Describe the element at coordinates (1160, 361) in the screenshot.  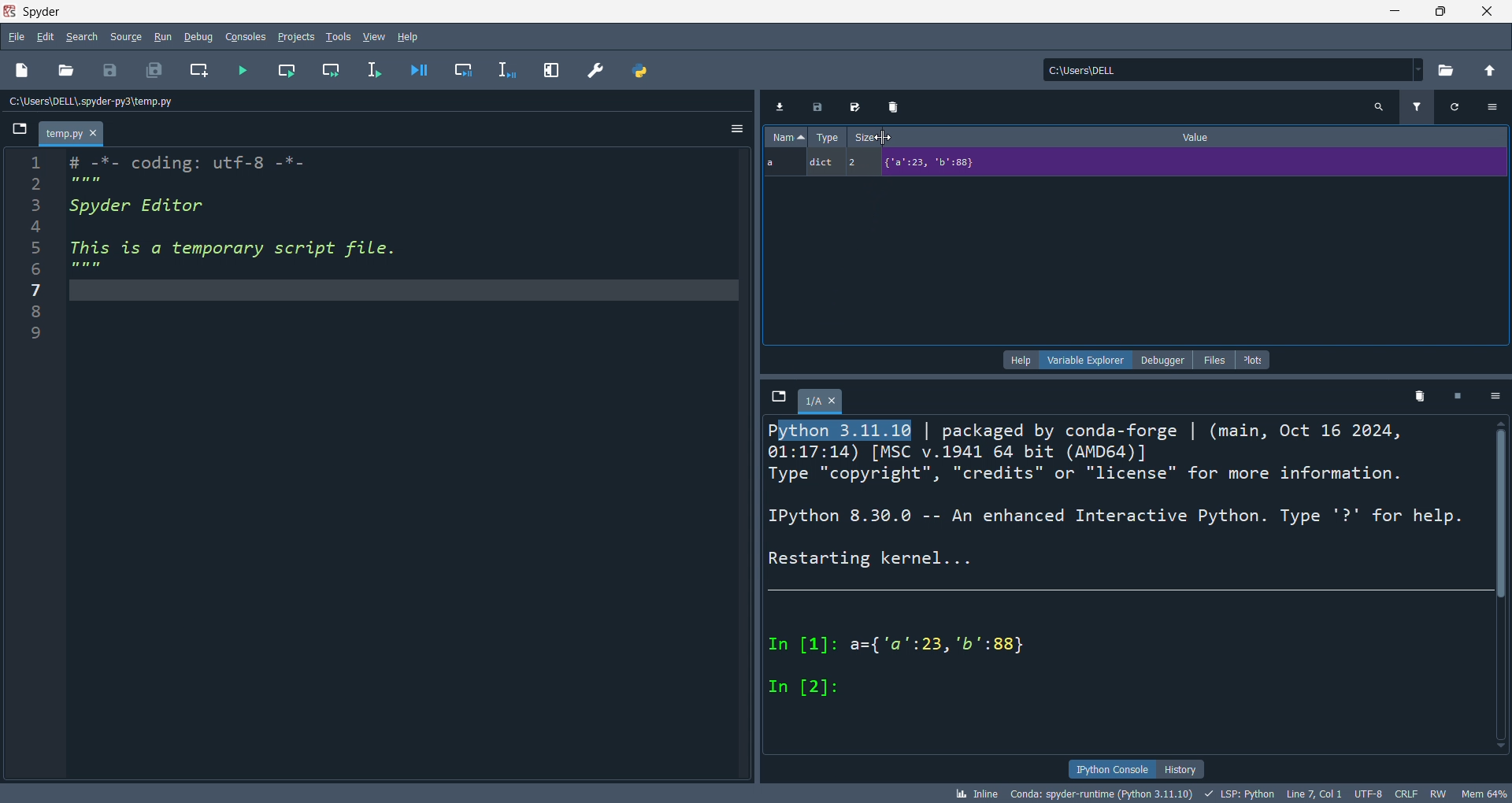
I see `debugger` at that location.